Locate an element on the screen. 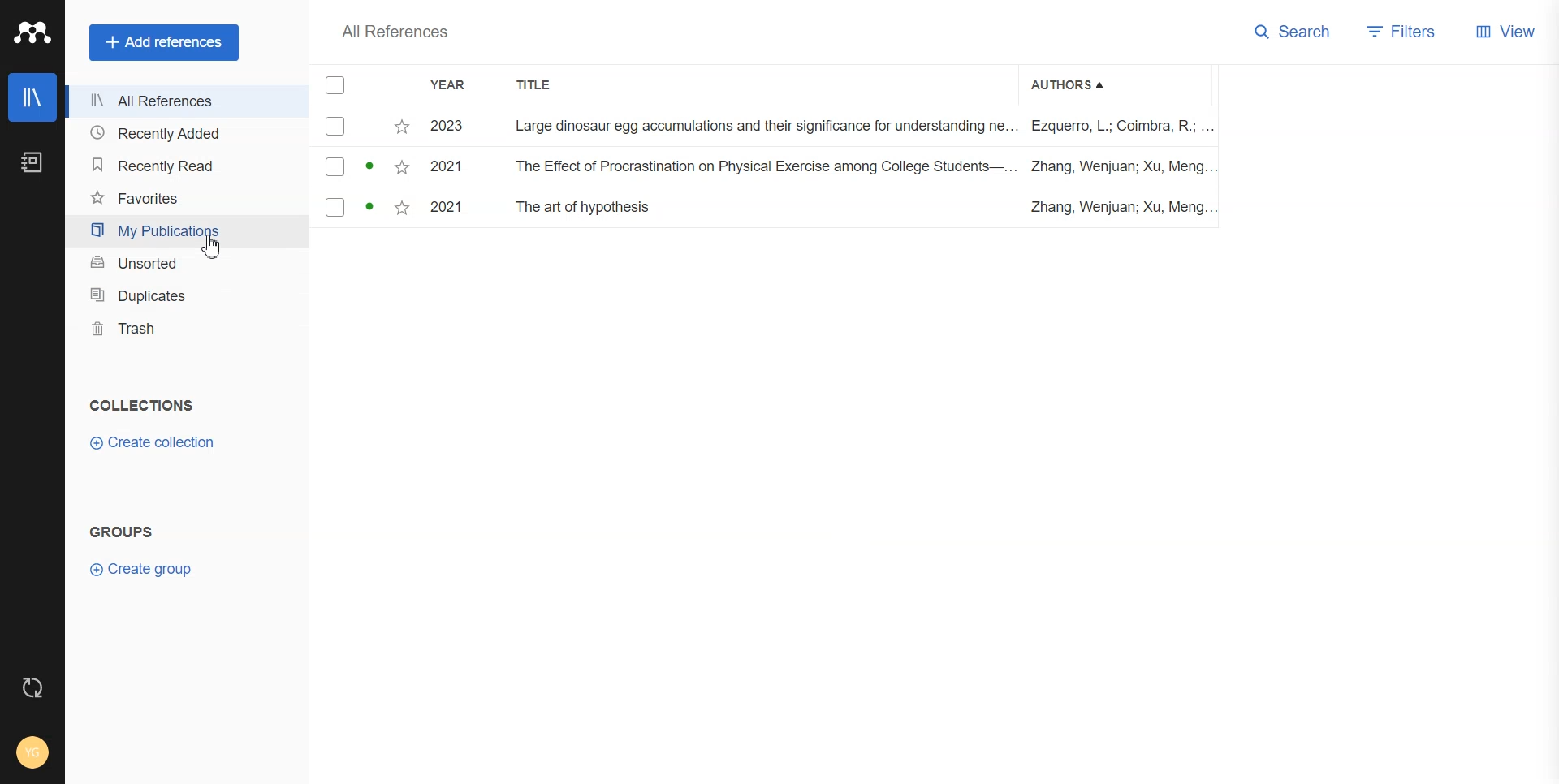 The width and height of the screenshot is (1559, 784). Search is located at coordinates (1294, 31).